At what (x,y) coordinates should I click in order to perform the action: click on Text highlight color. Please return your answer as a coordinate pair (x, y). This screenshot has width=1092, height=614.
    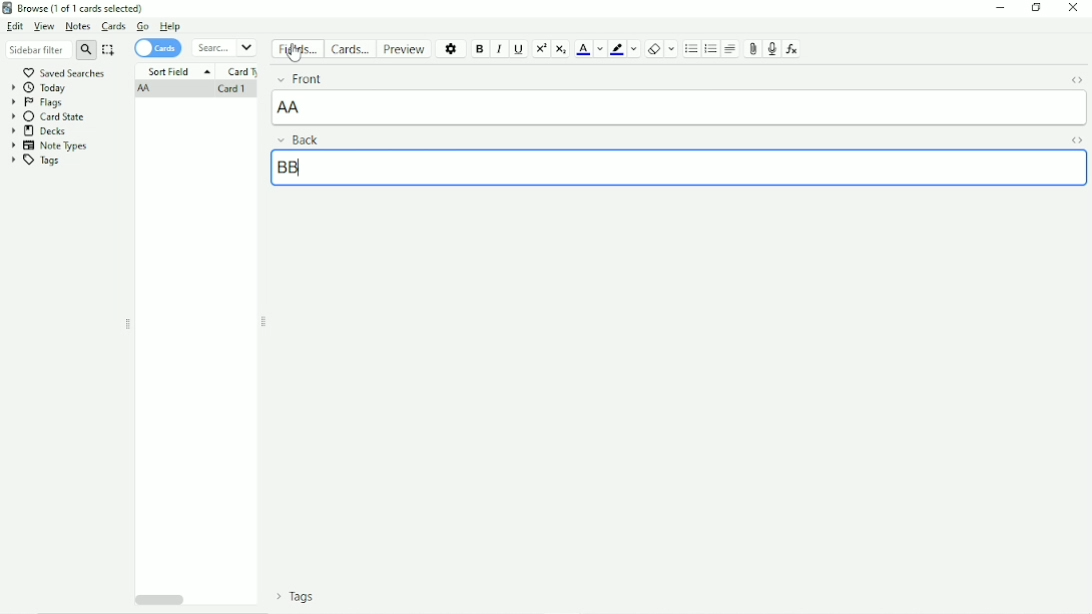
    Looking at the image, I should click on (617, 49).